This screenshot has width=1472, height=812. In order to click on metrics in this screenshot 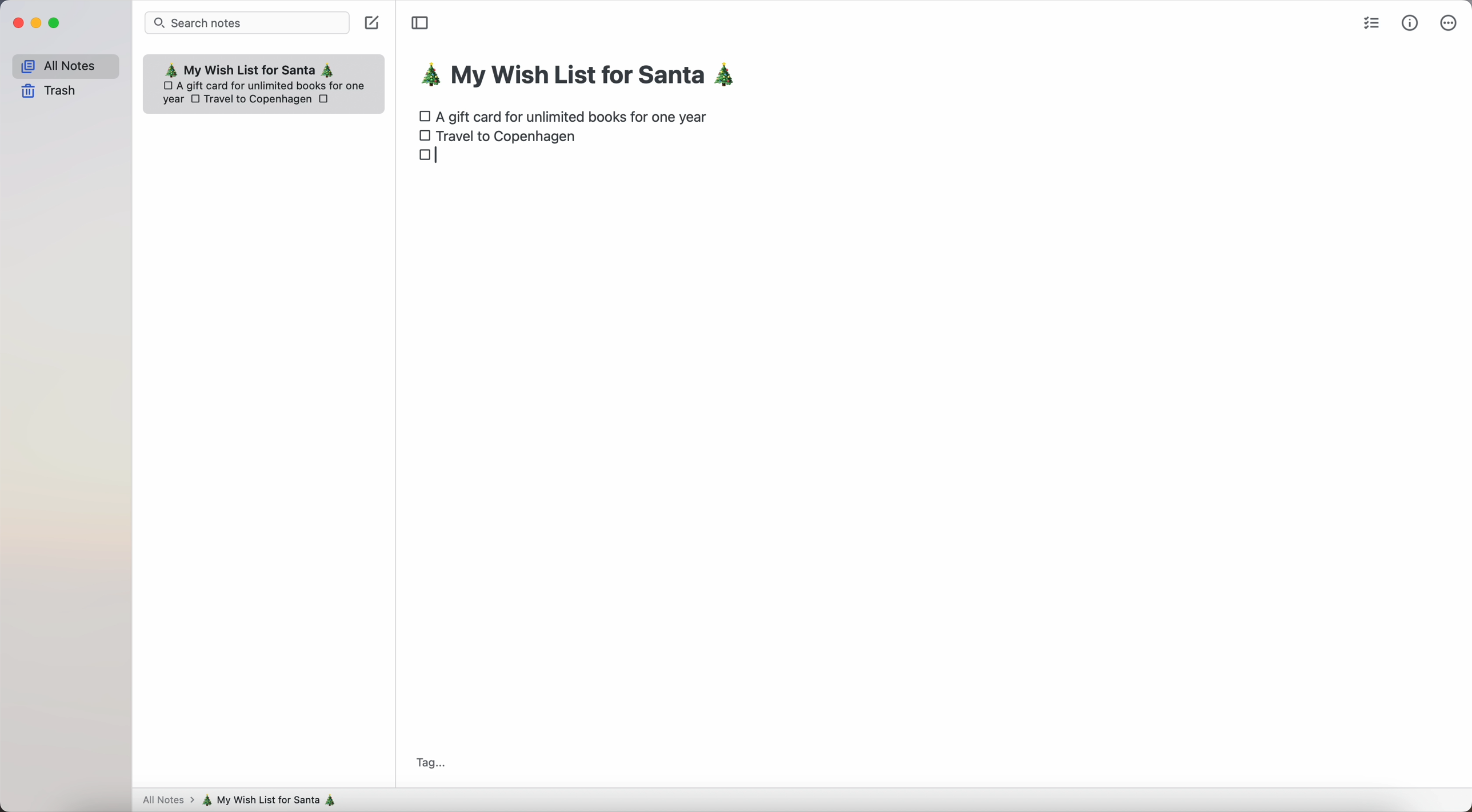, I will do `click(1410, 22)`.